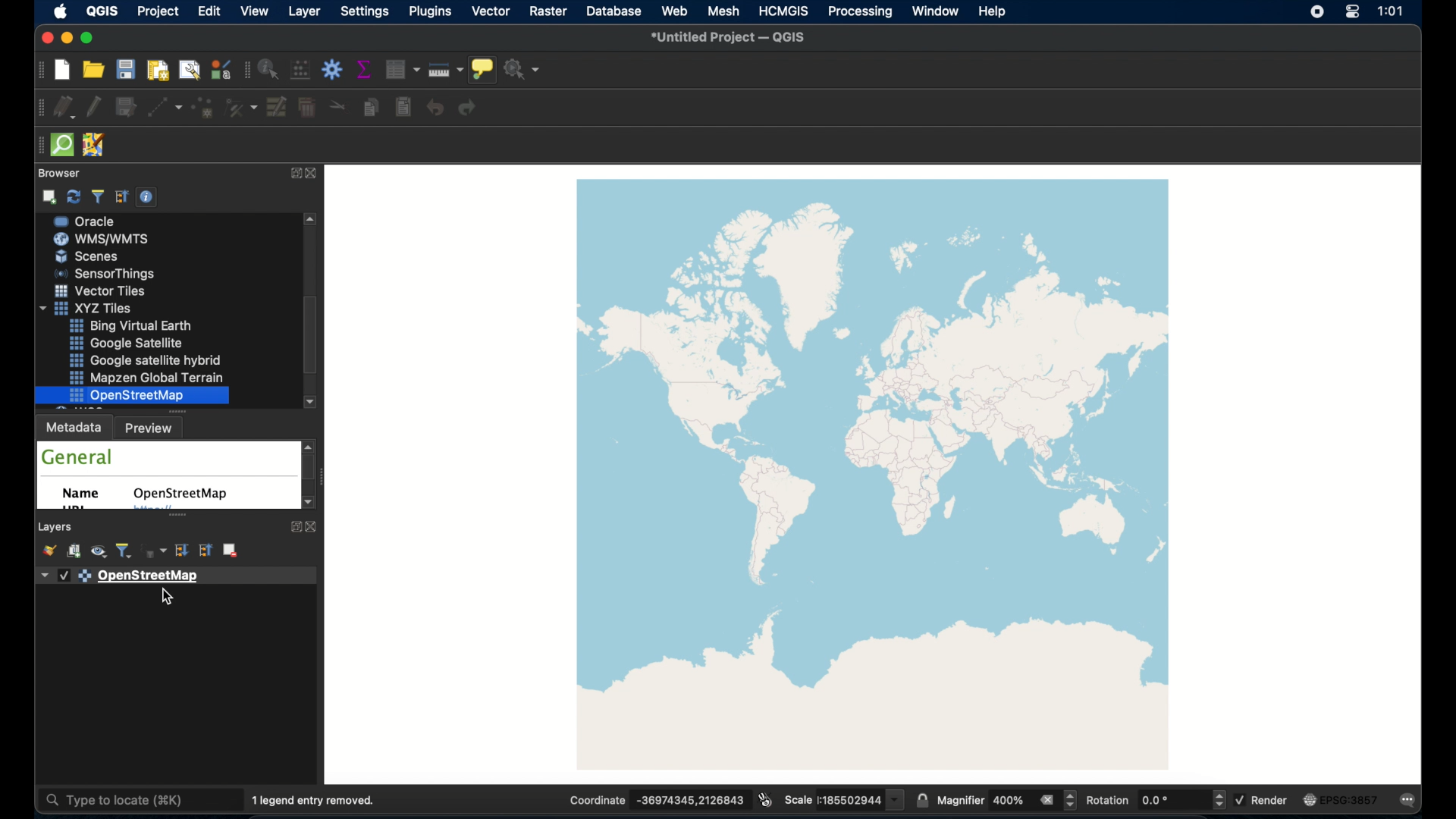 This screenshot has width=1456, height=819. Describe the element at coordinates (174, 575) in the screenshot. I see `openstreetmap layer` at that location.